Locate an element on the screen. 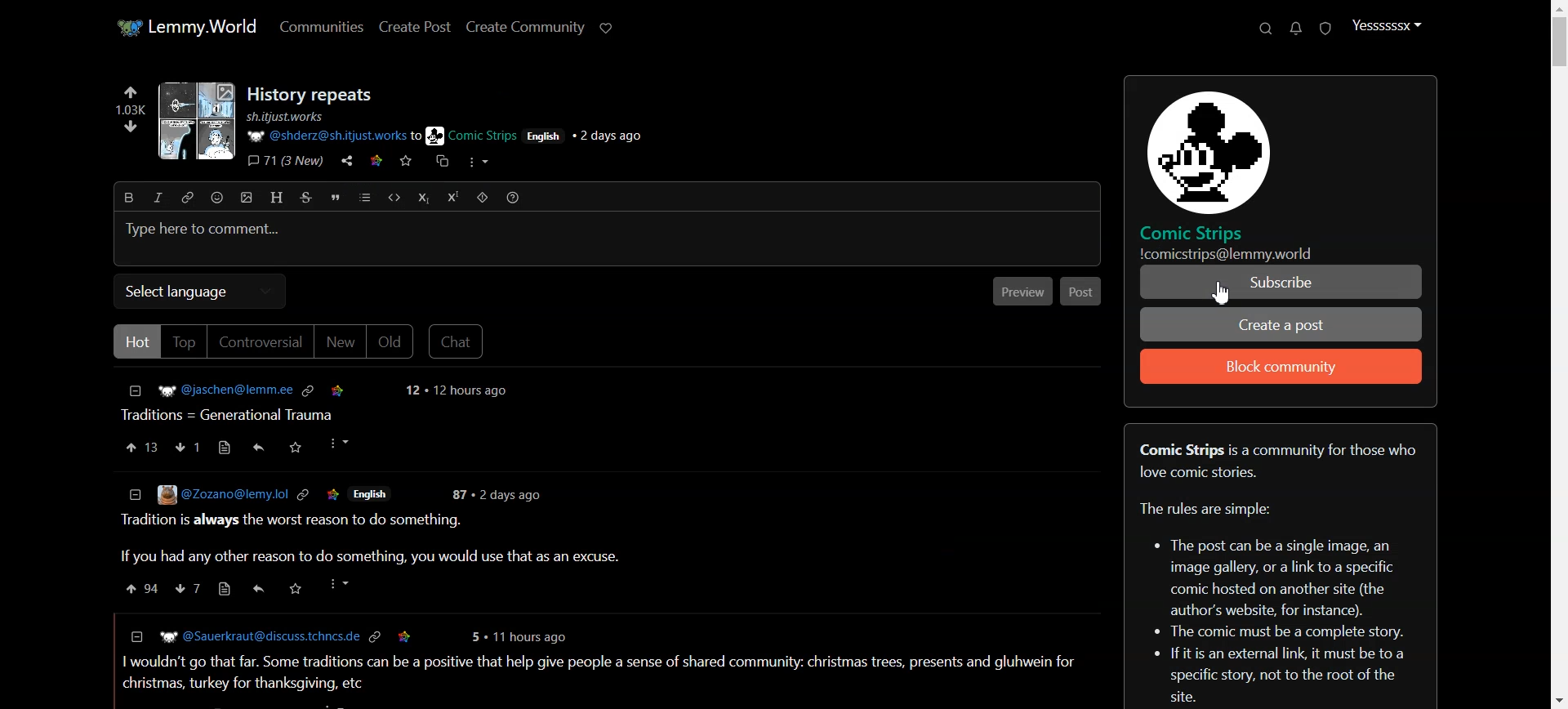 The image size is (1568, 709). Strike through is located at coordinates (306, 197).